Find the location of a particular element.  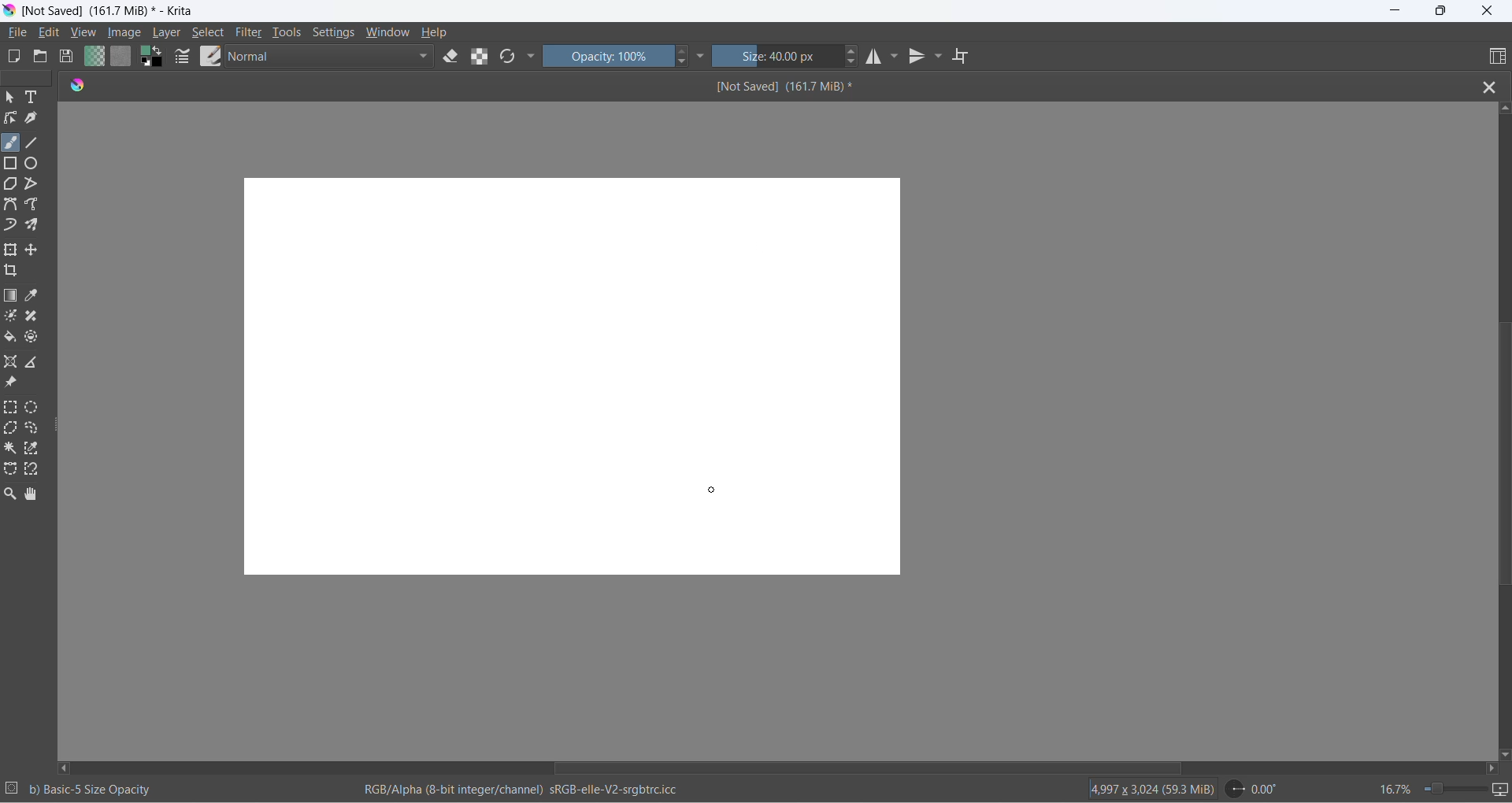

more settings dropdown button is located at coordinates (702, 56).